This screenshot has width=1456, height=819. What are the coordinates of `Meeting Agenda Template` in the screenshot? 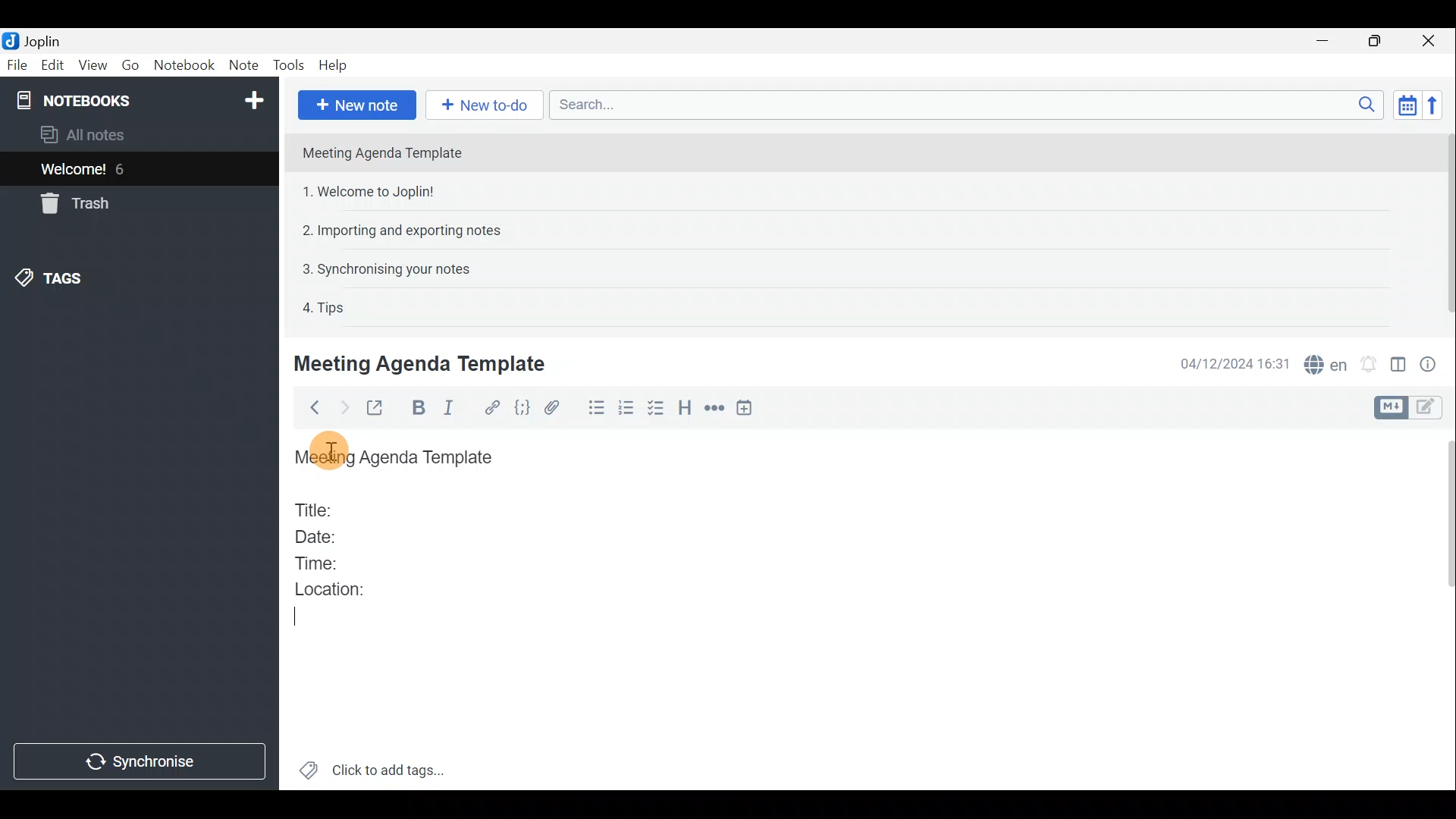 It's located at (422, 363).